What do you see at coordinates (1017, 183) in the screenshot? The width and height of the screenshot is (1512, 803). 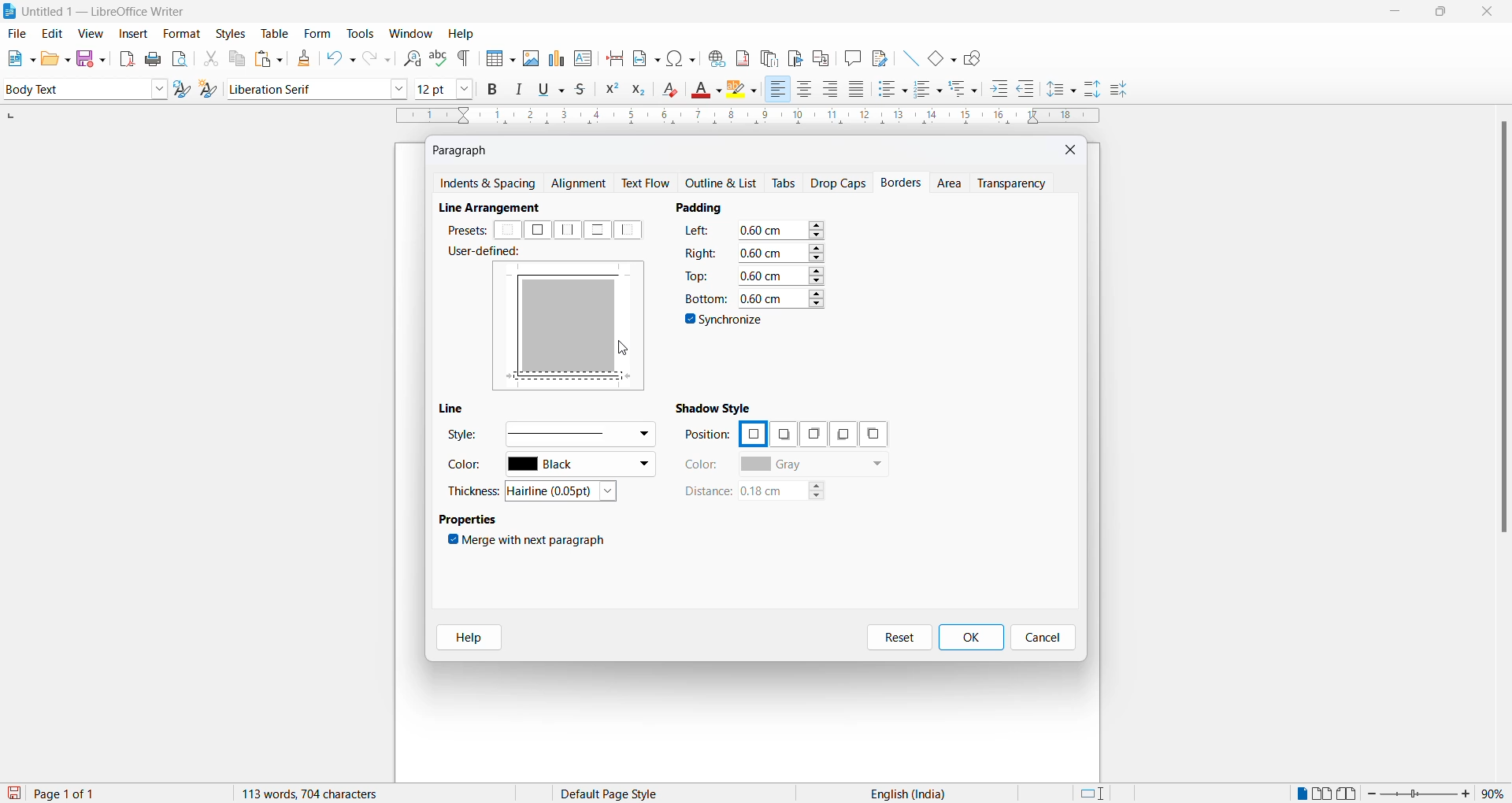 I see `transparency` at bounding box center [1017, 183].